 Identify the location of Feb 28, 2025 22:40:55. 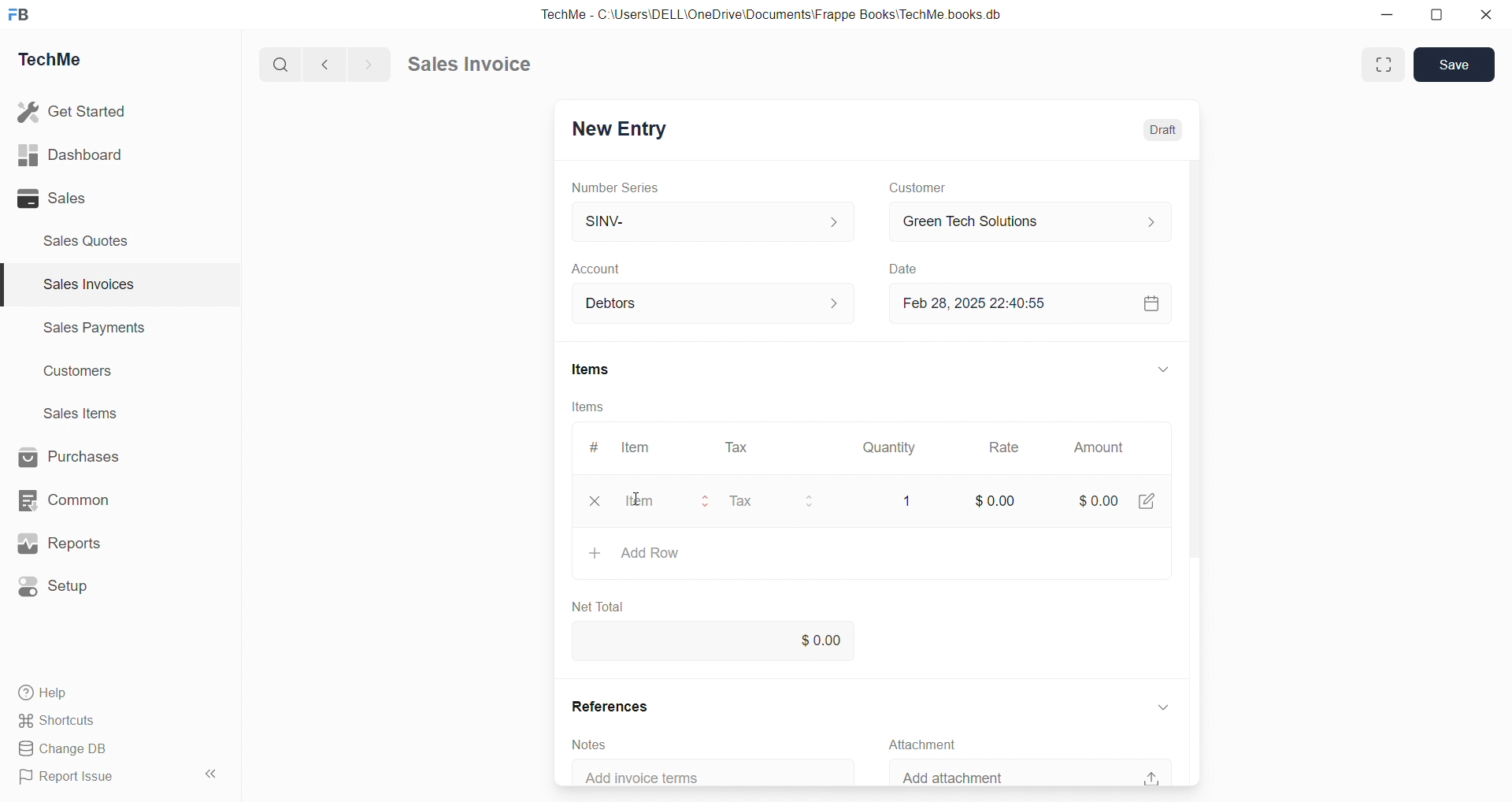
(982, 303).